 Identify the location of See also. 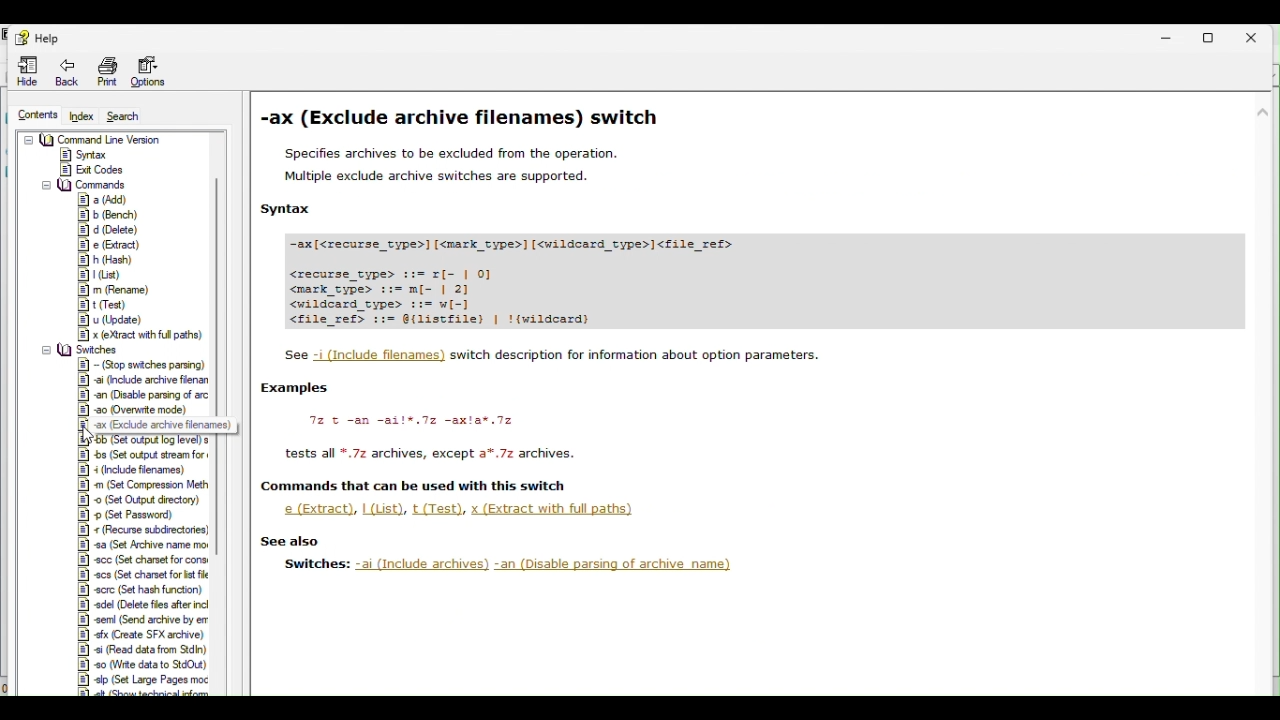
(290, 541).